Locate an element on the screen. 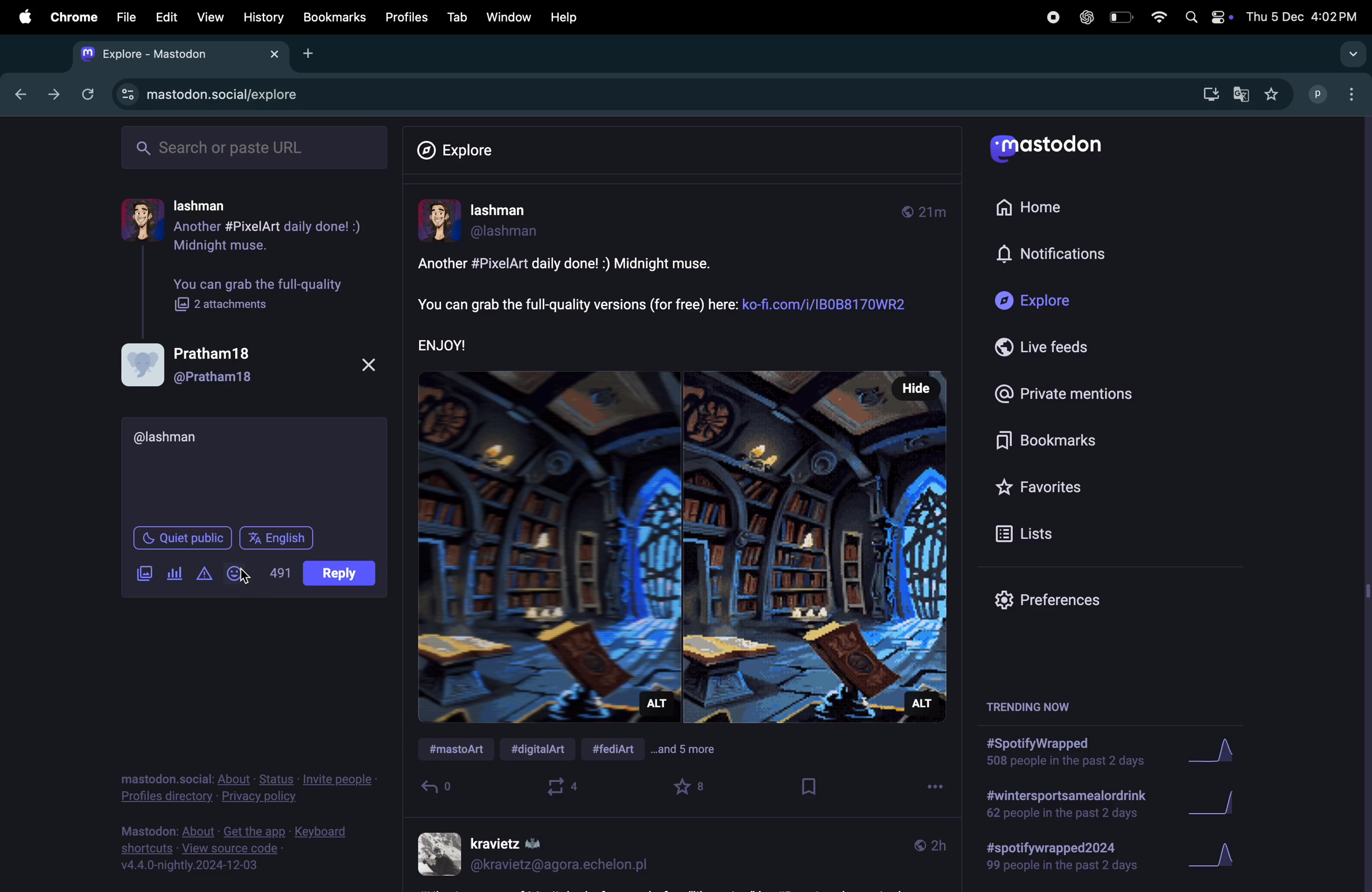 The height and width of the screenshot is (892, 1372). userprofile is located at coordinates (515, 222).